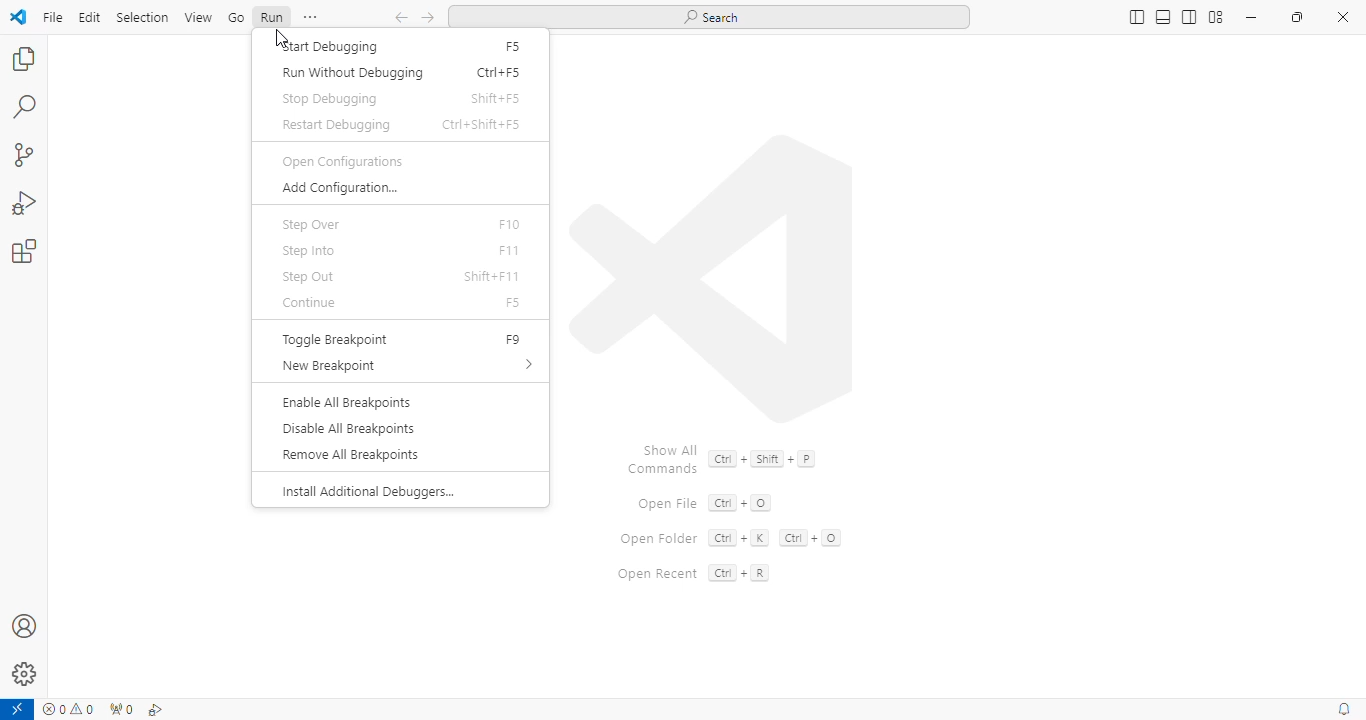 This screenshot has height=720, width=1366. What do you see at coordinates (741, 502) in the screenshot?
I see `Ctrl+O` at bounding box center [741, 502].